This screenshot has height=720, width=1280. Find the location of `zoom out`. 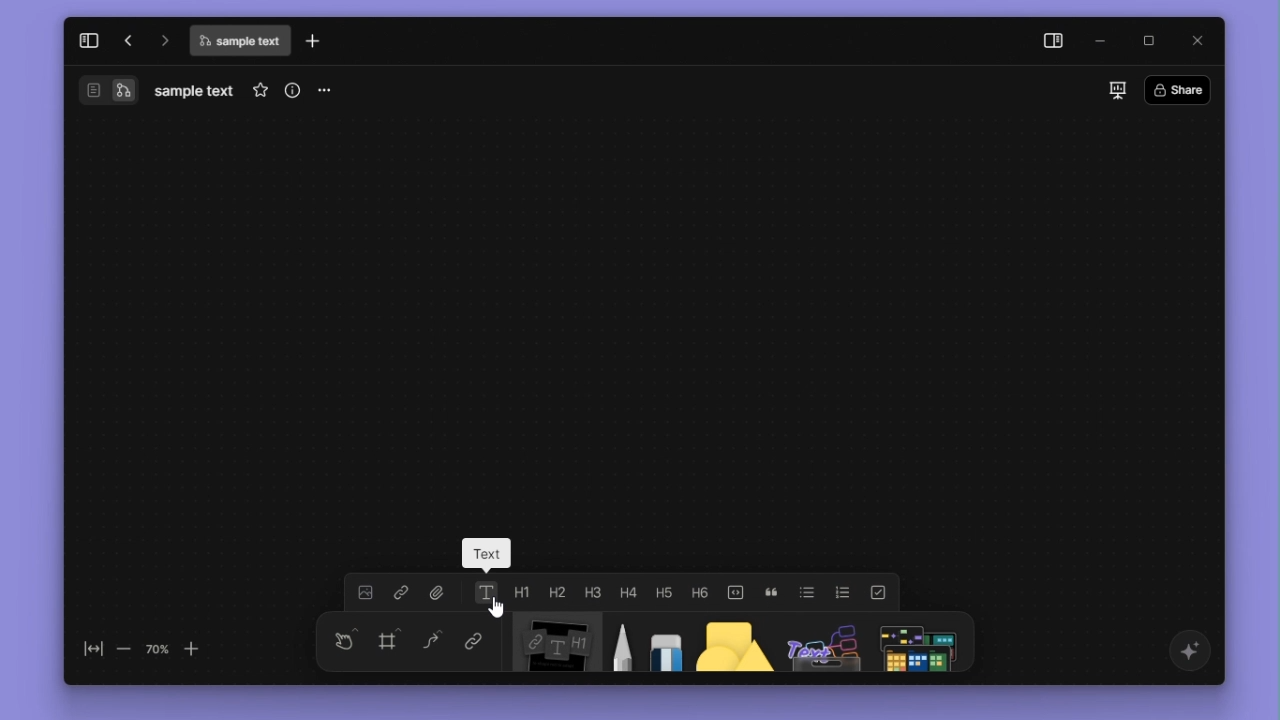

zoom out is located at coordinates (124, 650).